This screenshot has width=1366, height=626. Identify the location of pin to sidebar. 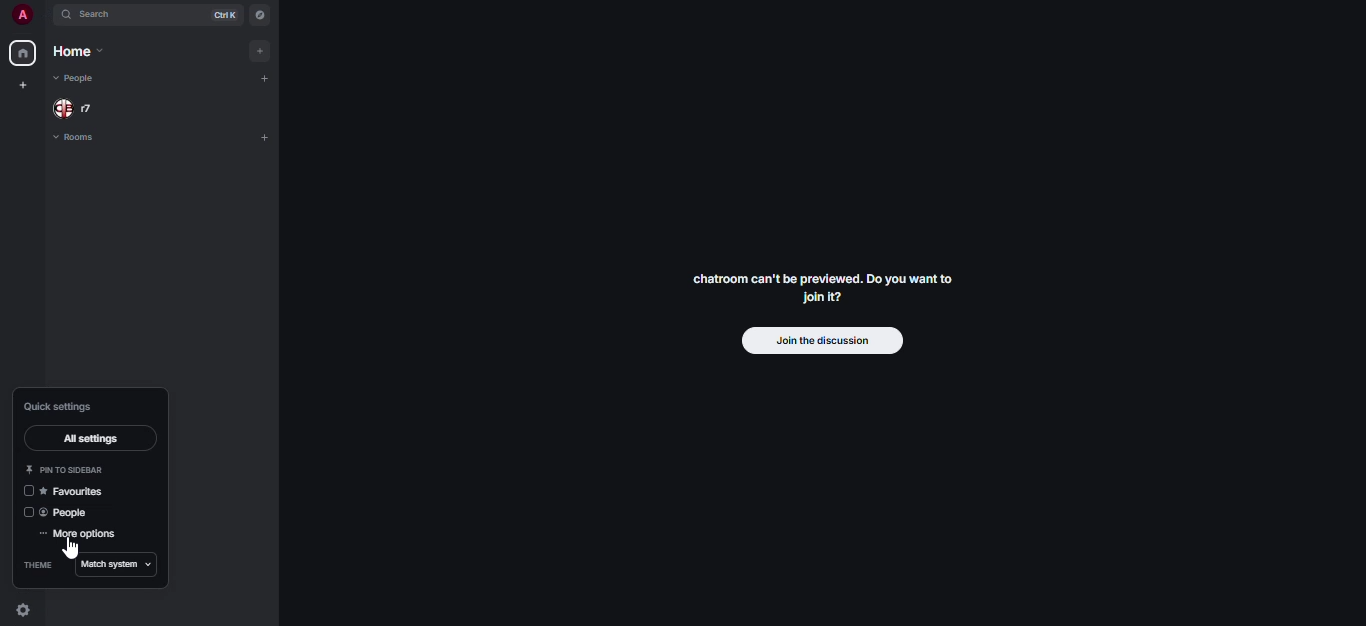
(66, 469).